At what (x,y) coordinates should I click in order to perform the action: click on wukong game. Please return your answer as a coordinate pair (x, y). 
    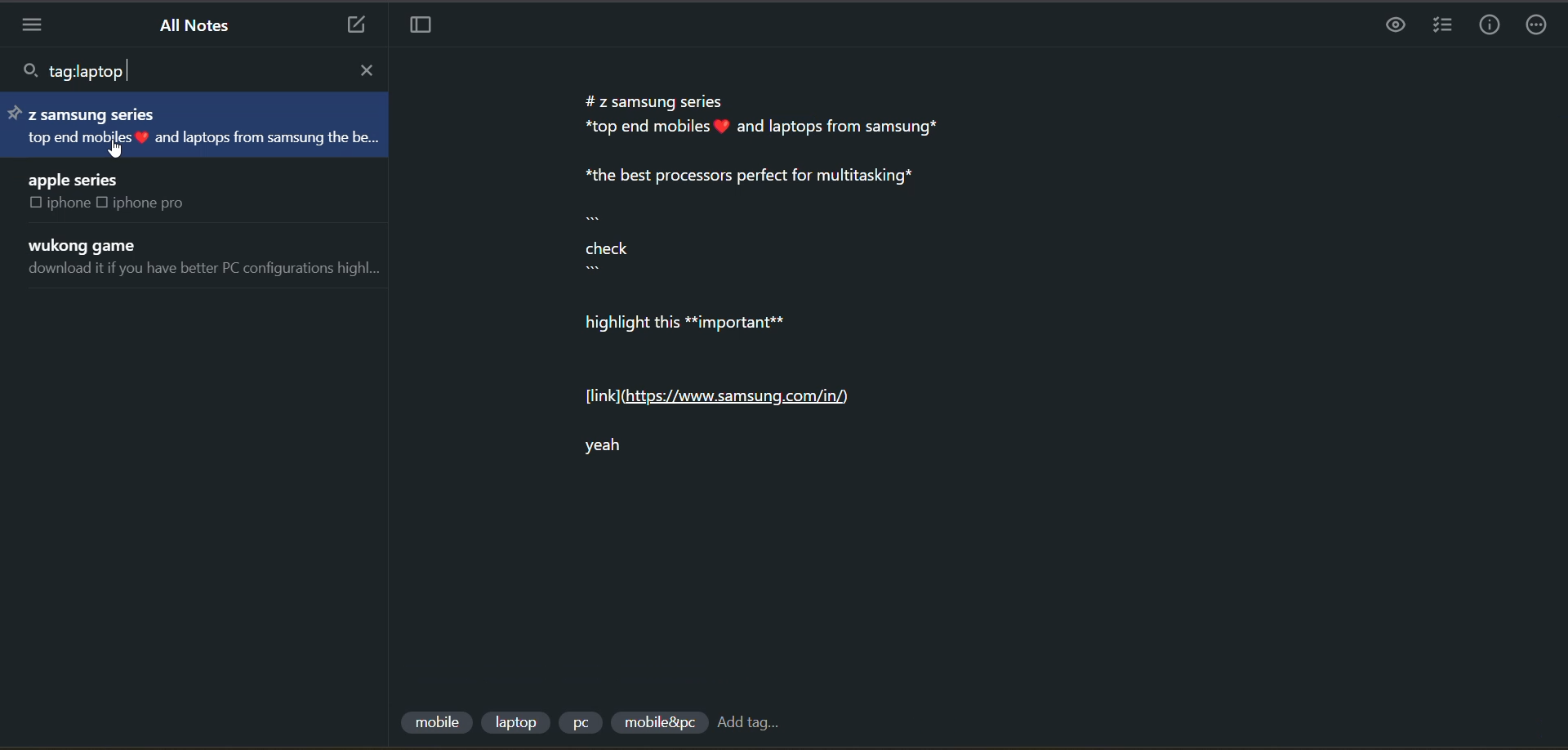
    Looking at the image, I should click on (91, 243).